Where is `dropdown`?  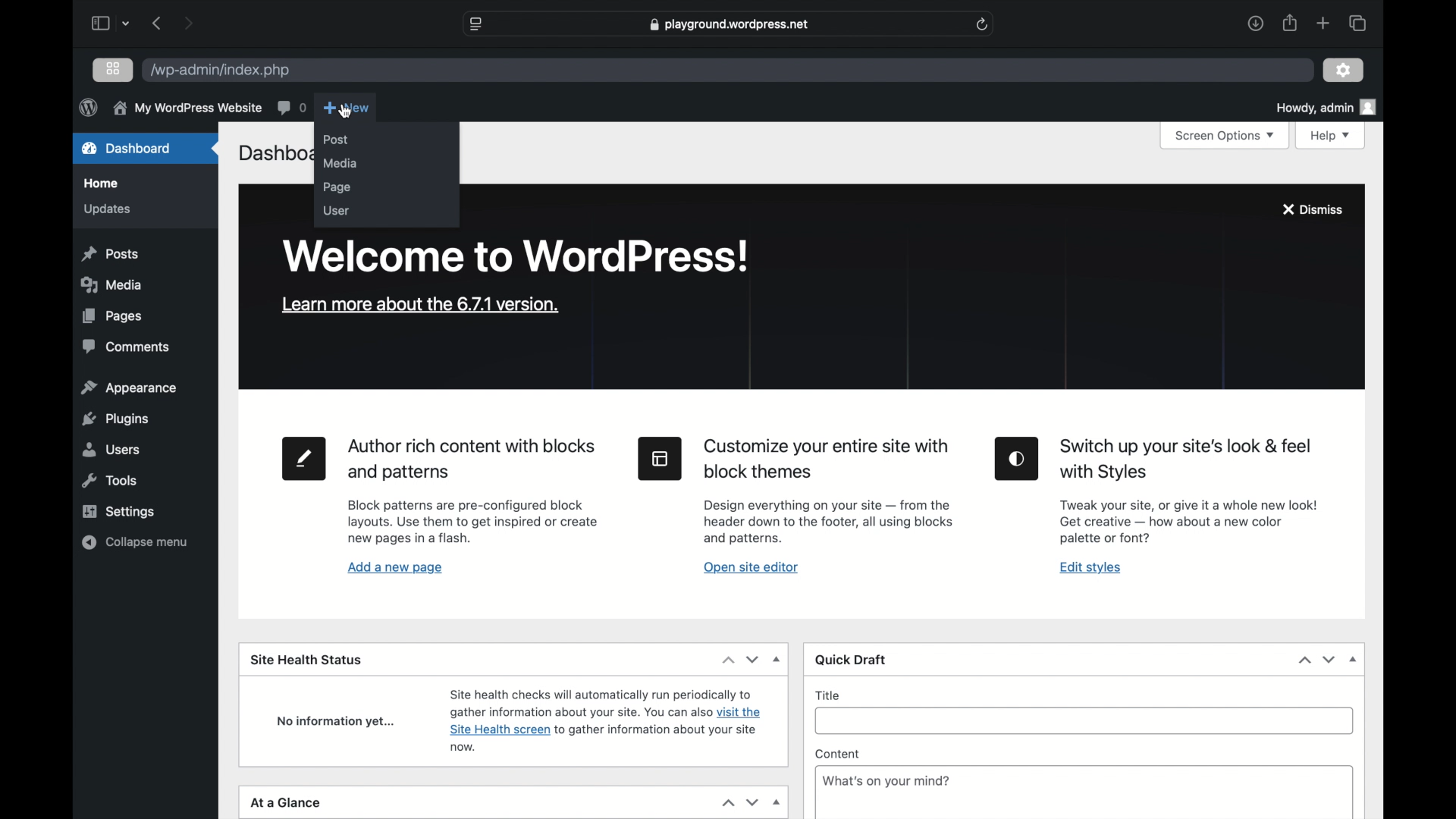 dropdown is located at coordinates (127, 23).